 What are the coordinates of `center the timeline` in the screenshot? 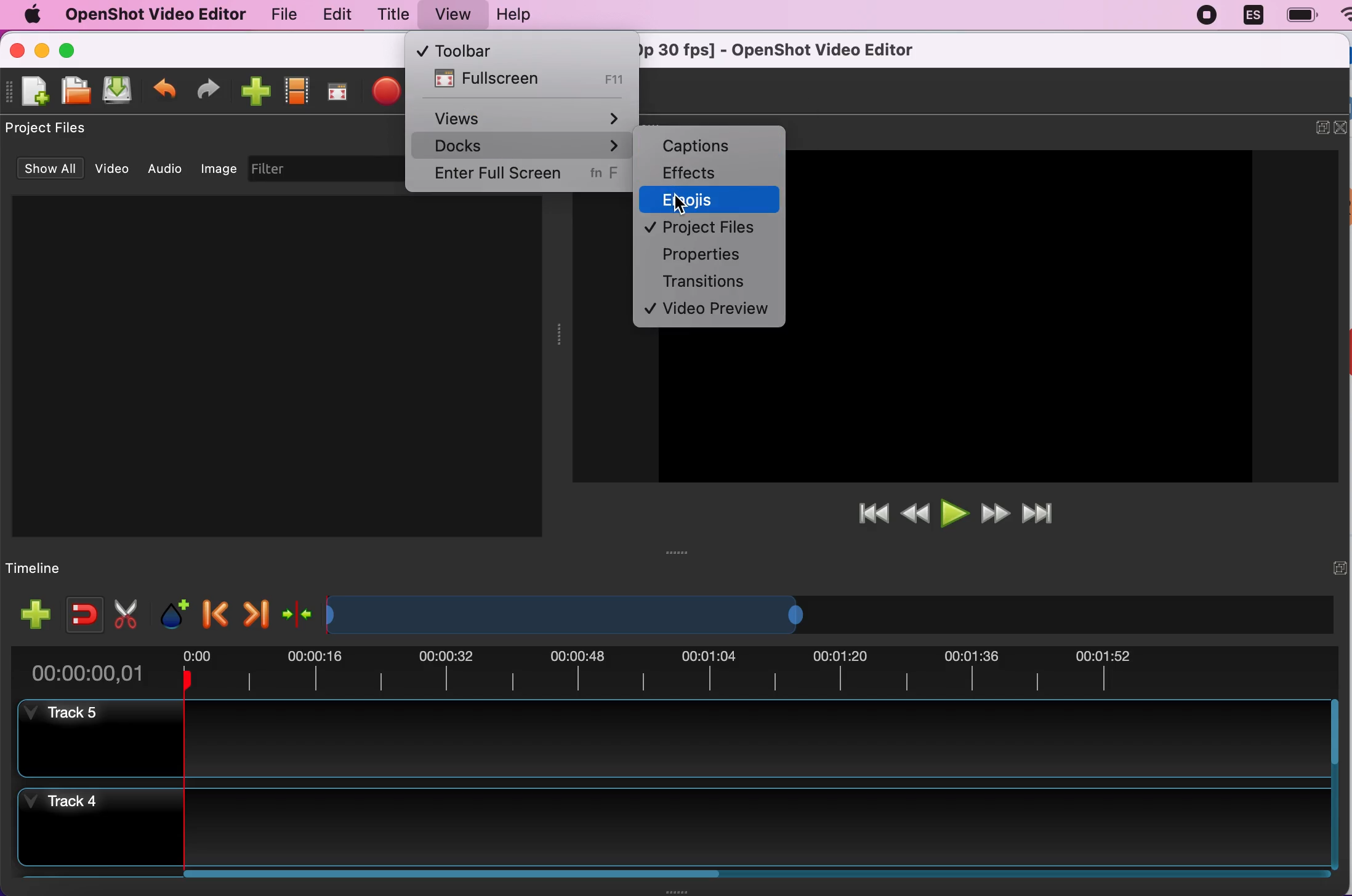 It's located at (298, 611).